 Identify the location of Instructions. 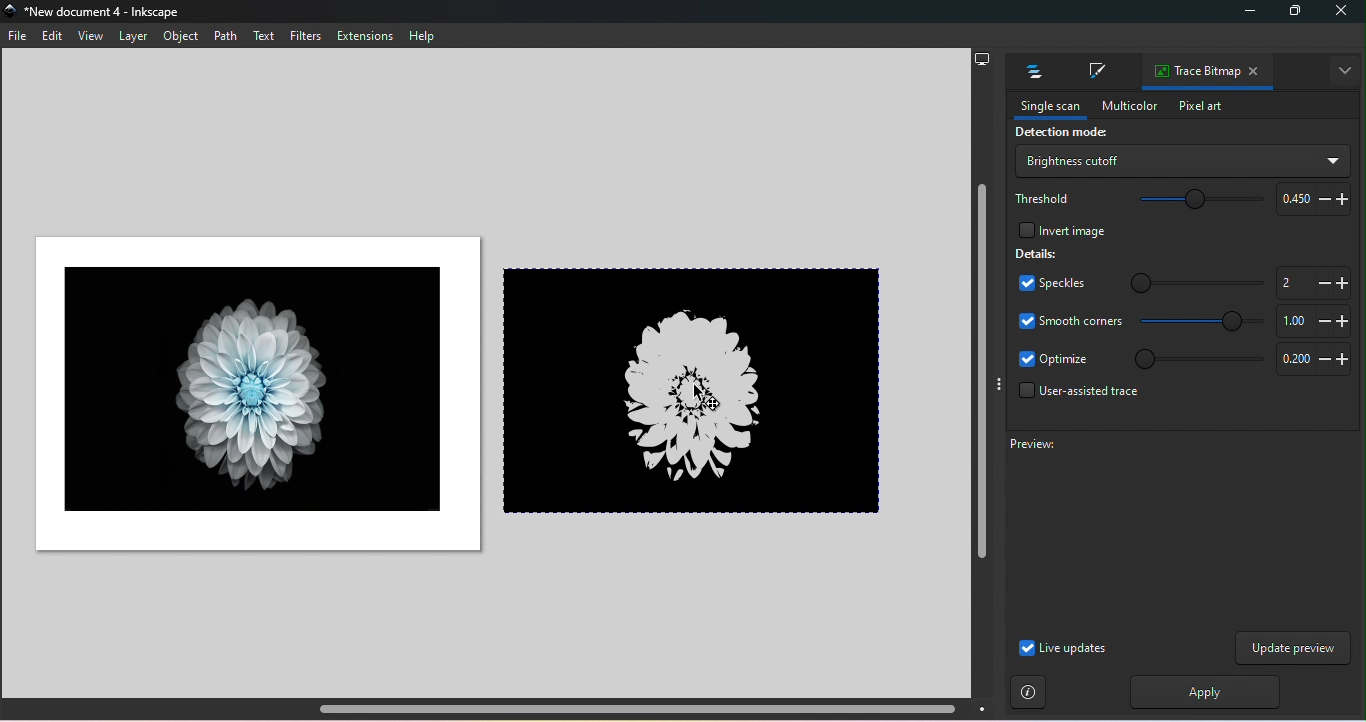
(1029, 693).